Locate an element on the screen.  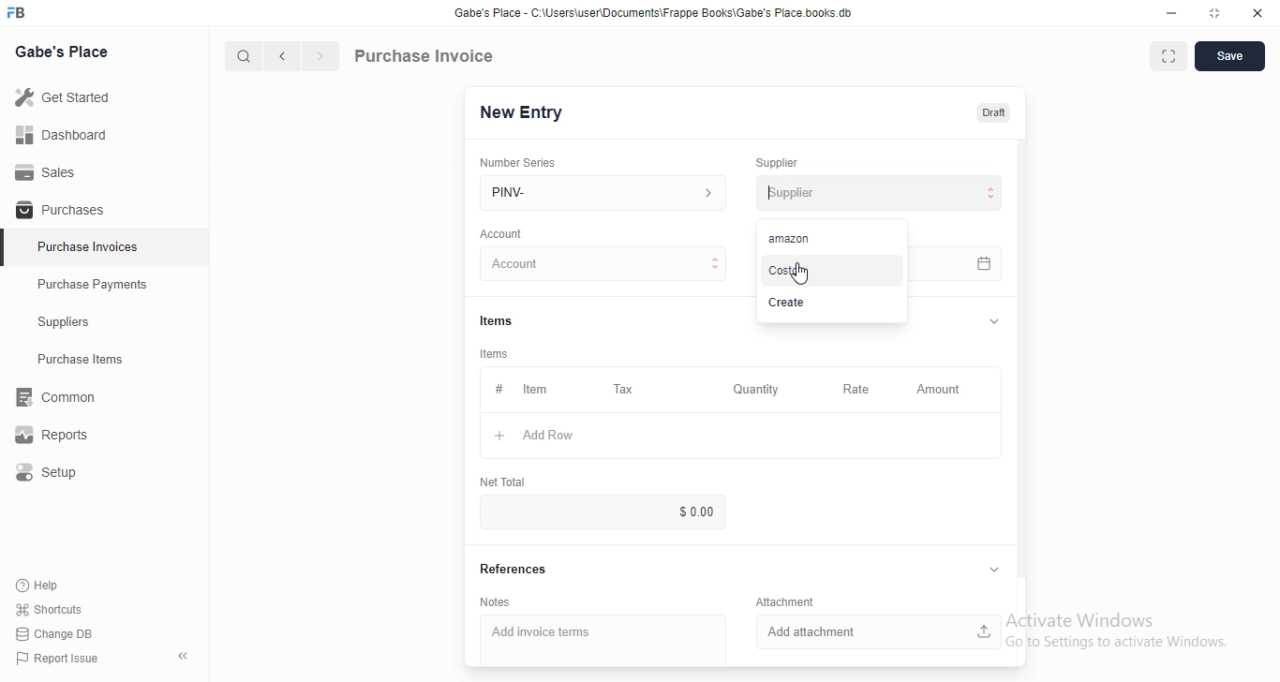
Net Total is located at coordinates (503, 482).